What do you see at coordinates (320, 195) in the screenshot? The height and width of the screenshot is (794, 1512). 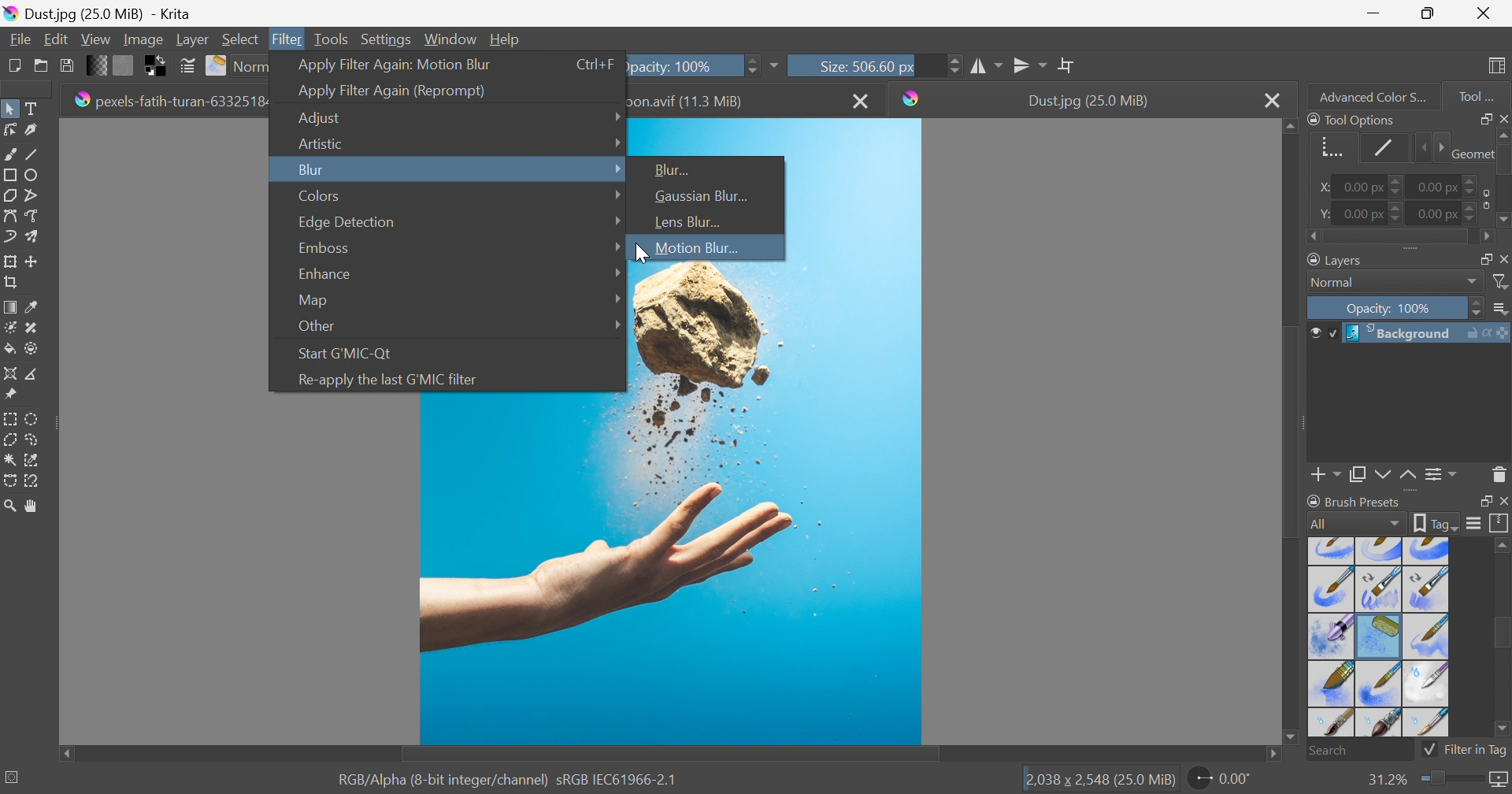 I see `Colors` at bounding box center [320, 195].